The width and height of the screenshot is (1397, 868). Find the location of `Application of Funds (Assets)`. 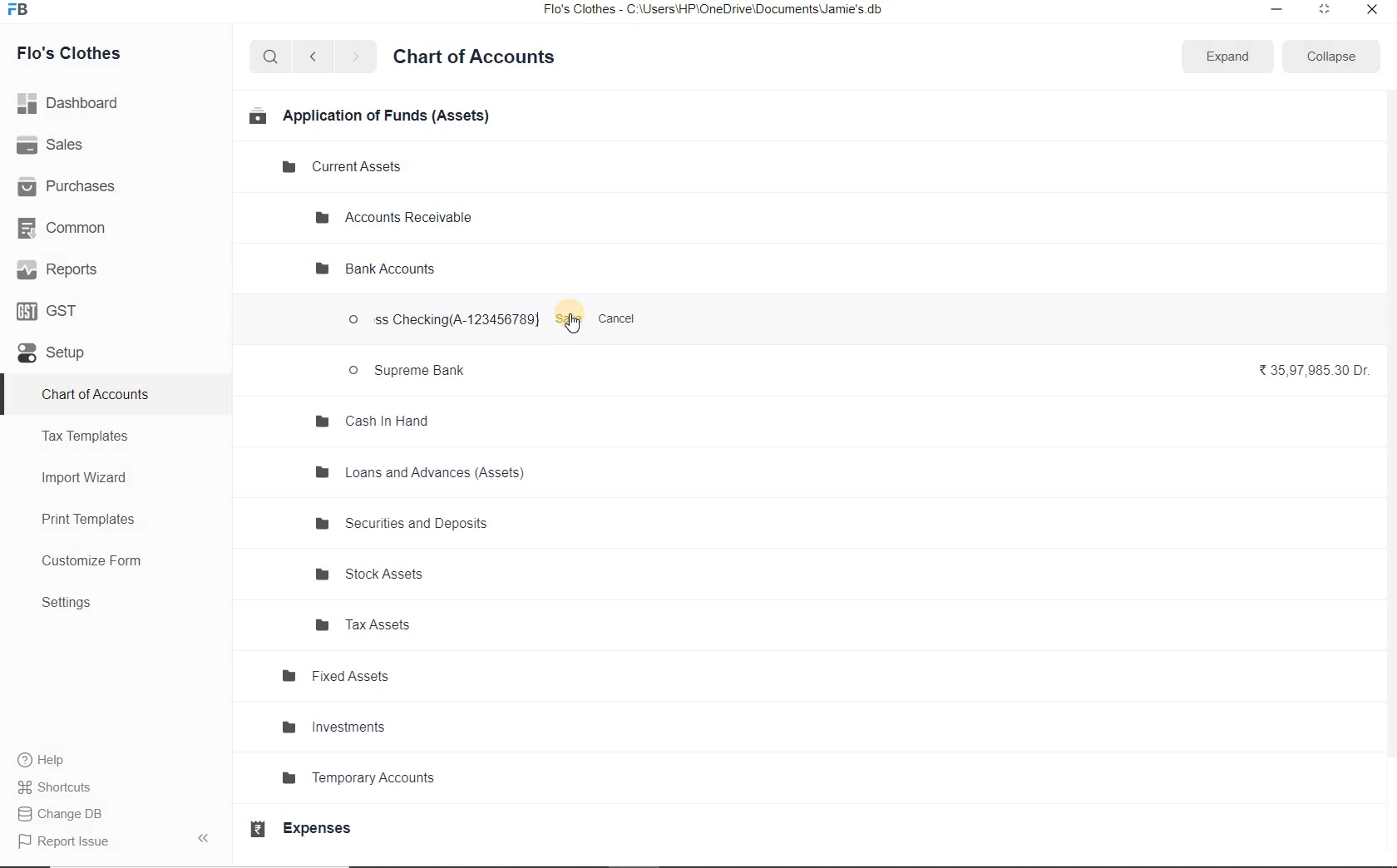

Application of Funds (Assets) is located at coordinates (372, 116).